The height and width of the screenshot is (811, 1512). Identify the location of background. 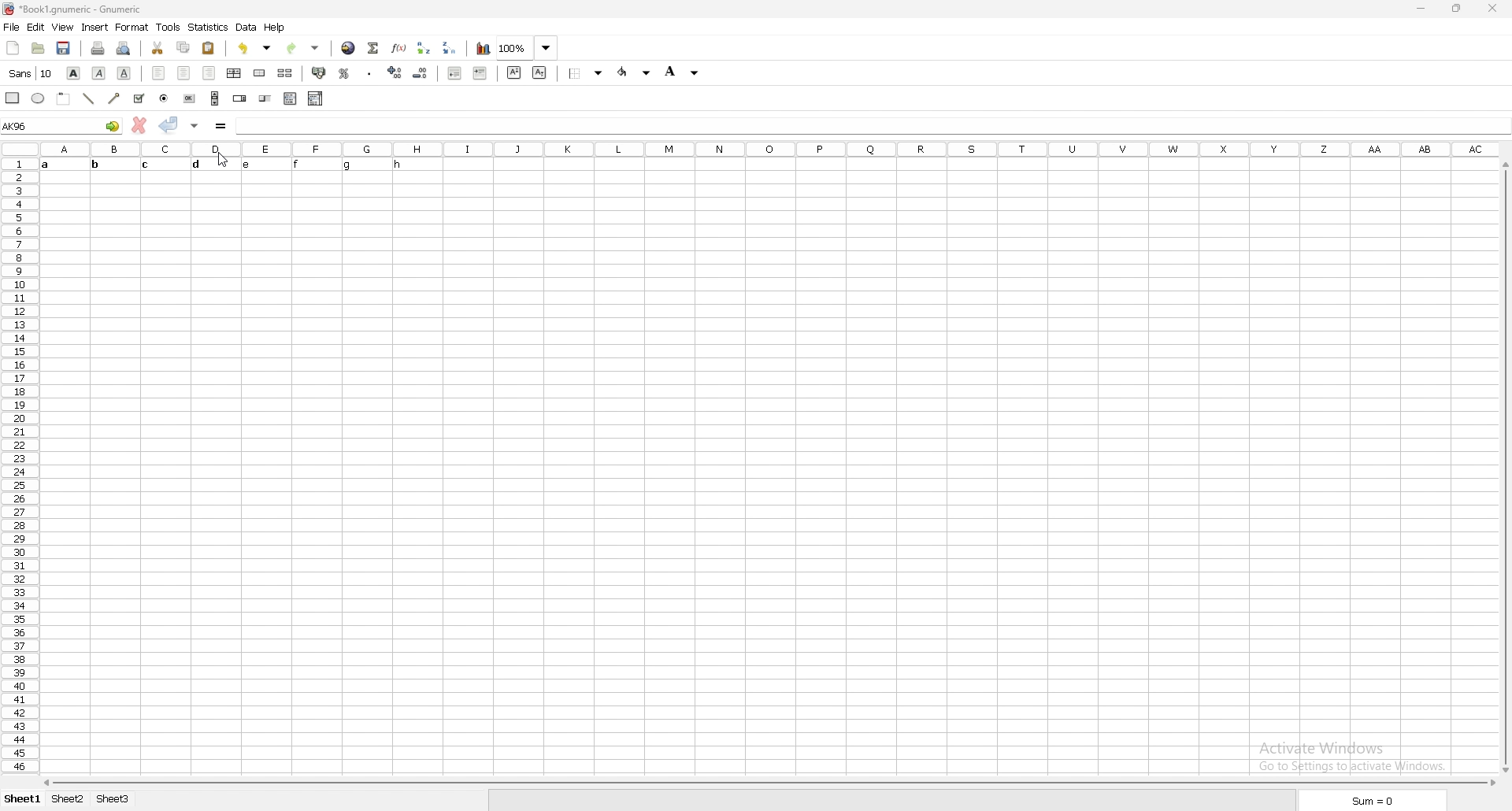
(684, 72).